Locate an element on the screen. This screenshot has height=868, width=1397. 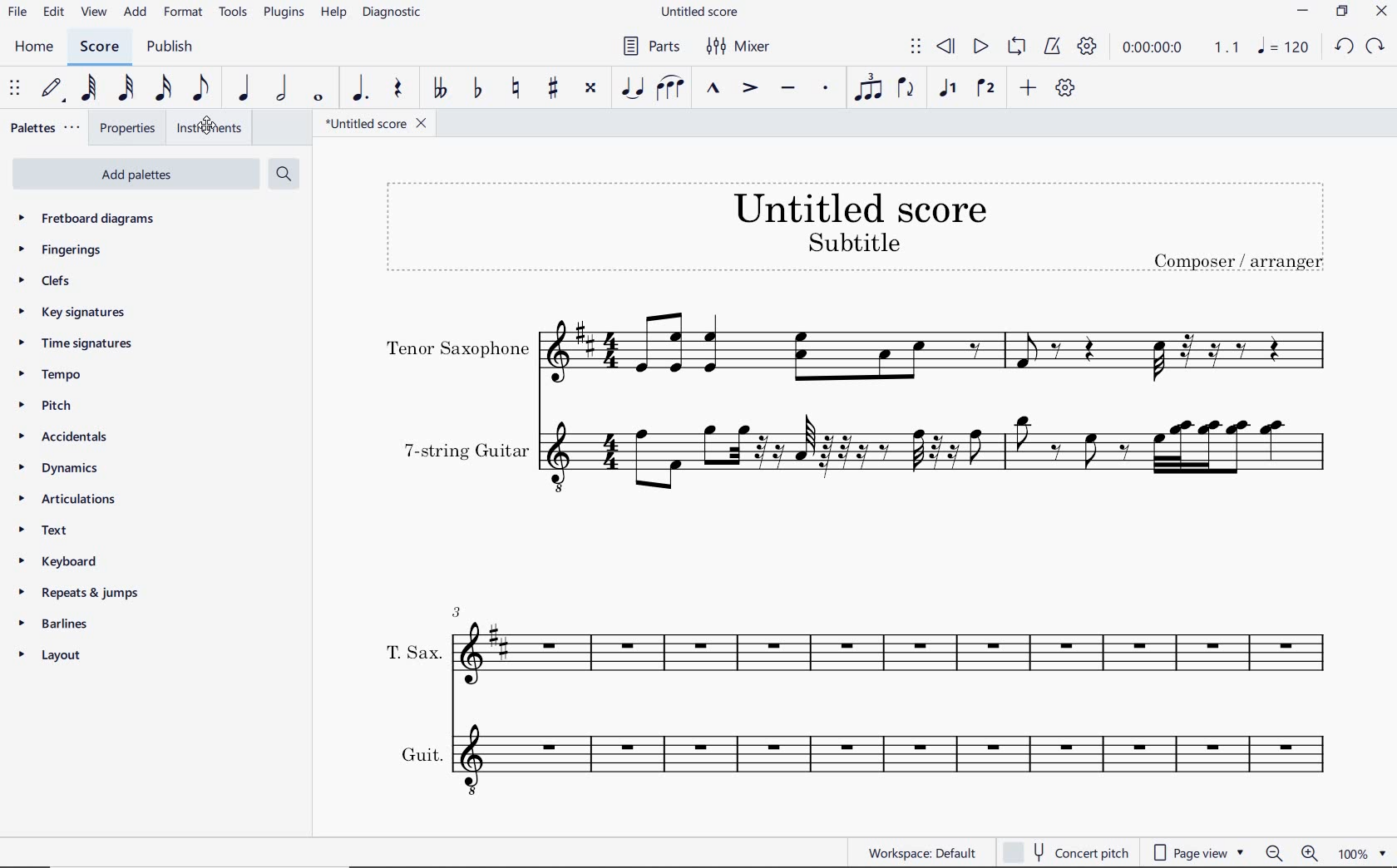
32ND NOTE is located at coordinates (128, 88).